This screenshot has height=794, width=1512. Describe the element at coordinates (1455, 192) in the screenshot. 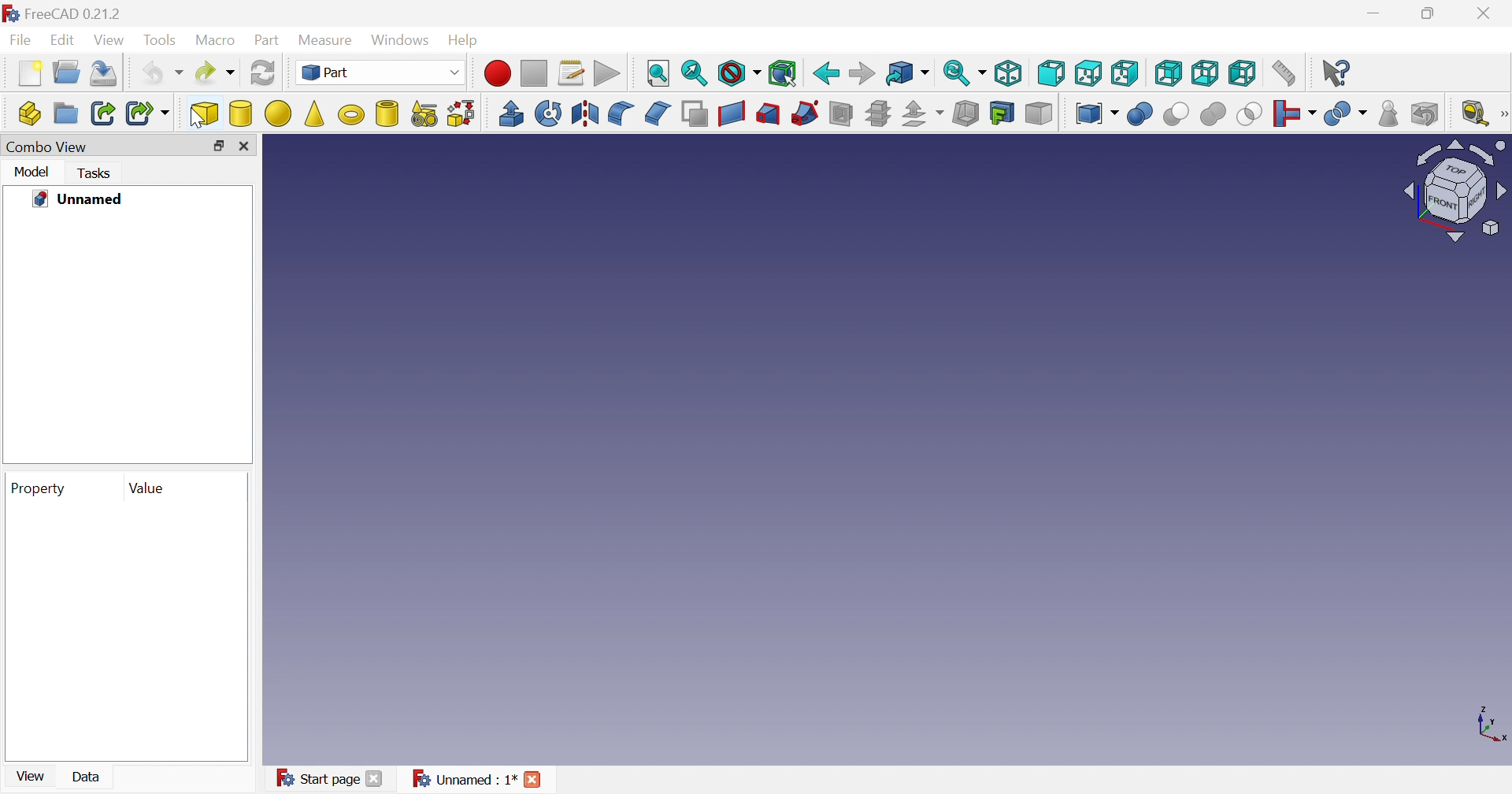

I see `Viewing angle` at that location.